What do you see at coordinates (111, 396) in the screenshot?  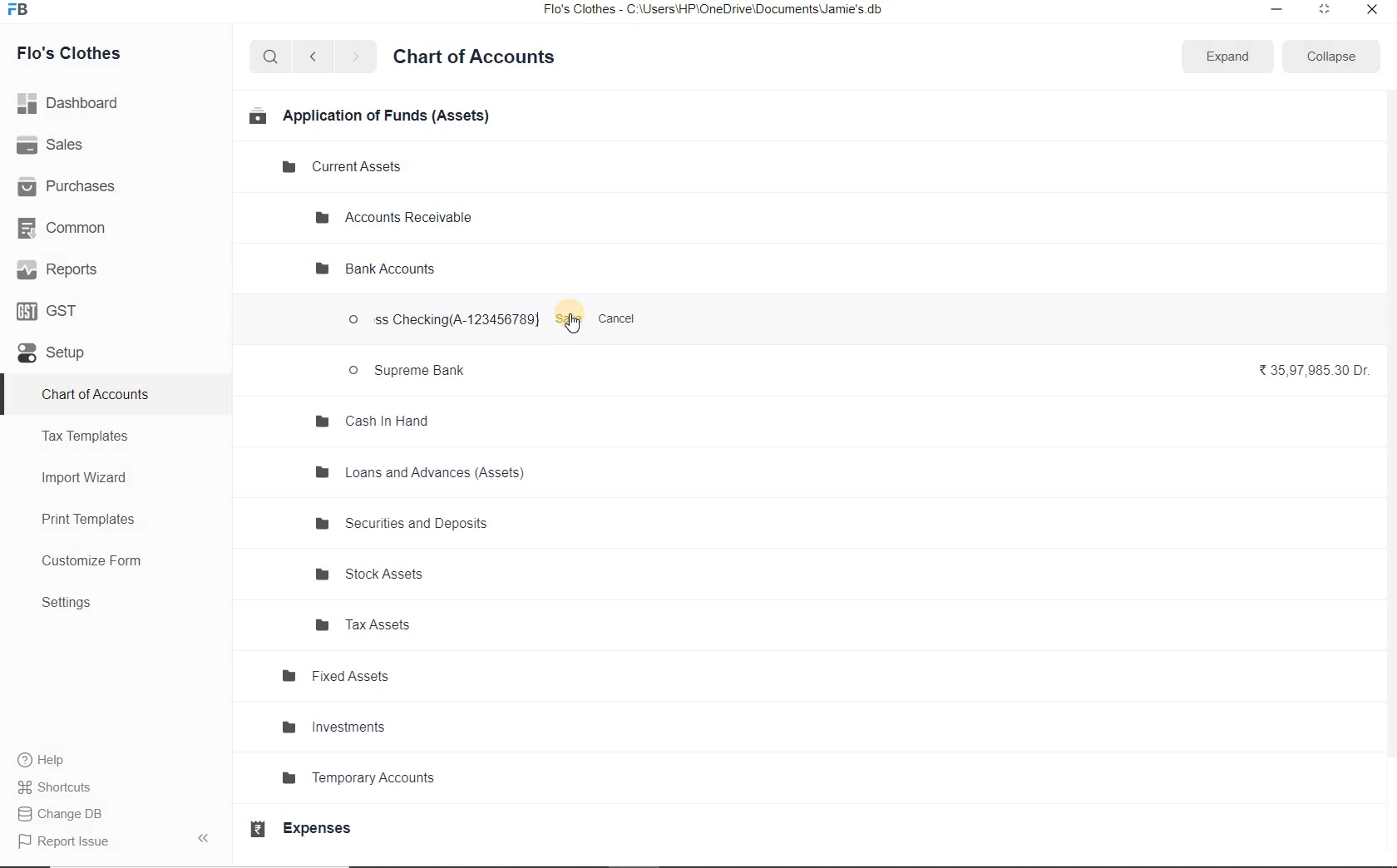 I see `chart of Accounts` at bounding box center [111, 396].